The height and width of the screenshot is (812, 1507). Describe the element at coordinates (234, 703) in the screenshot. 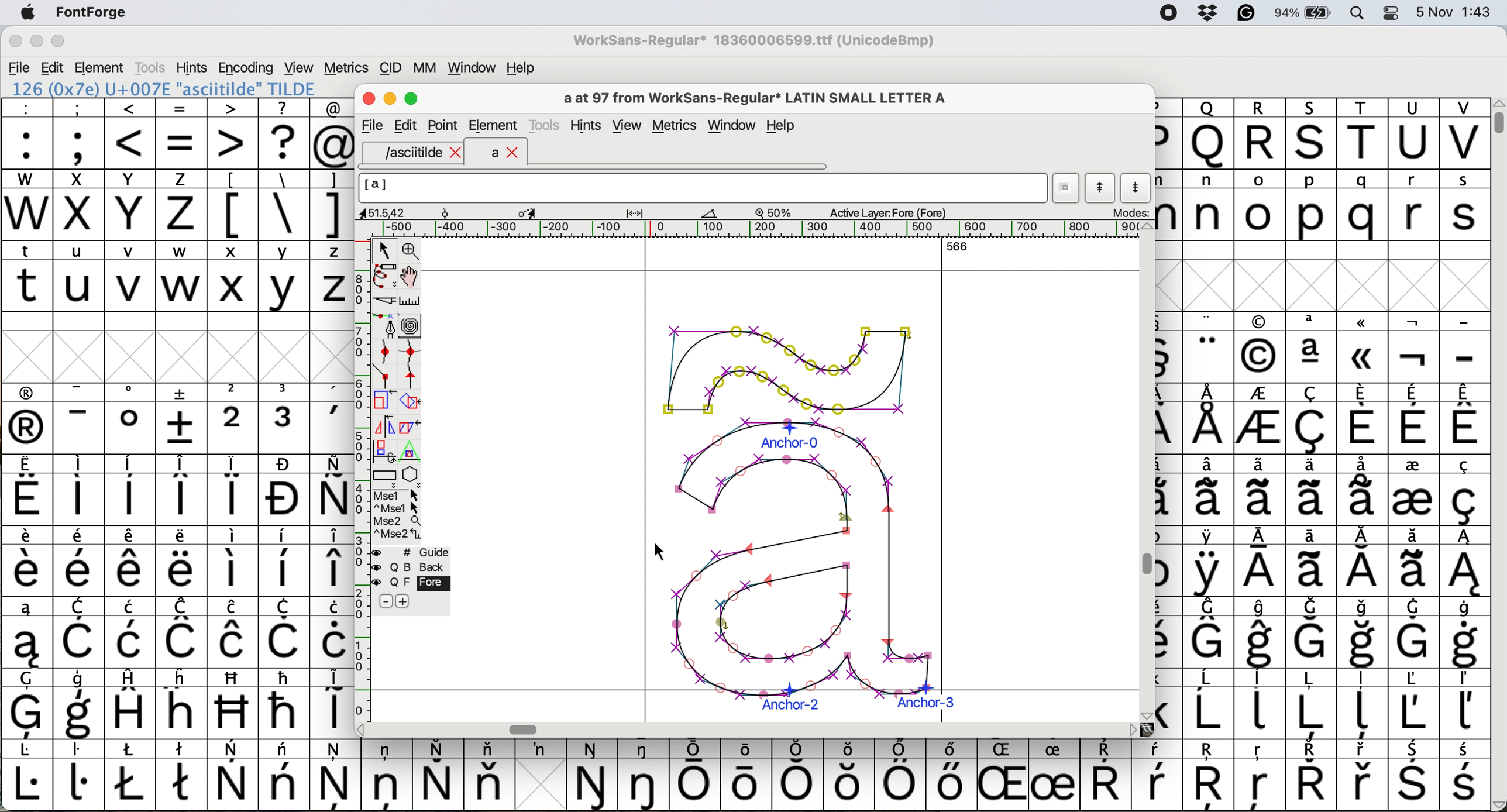

I see `` at that location.